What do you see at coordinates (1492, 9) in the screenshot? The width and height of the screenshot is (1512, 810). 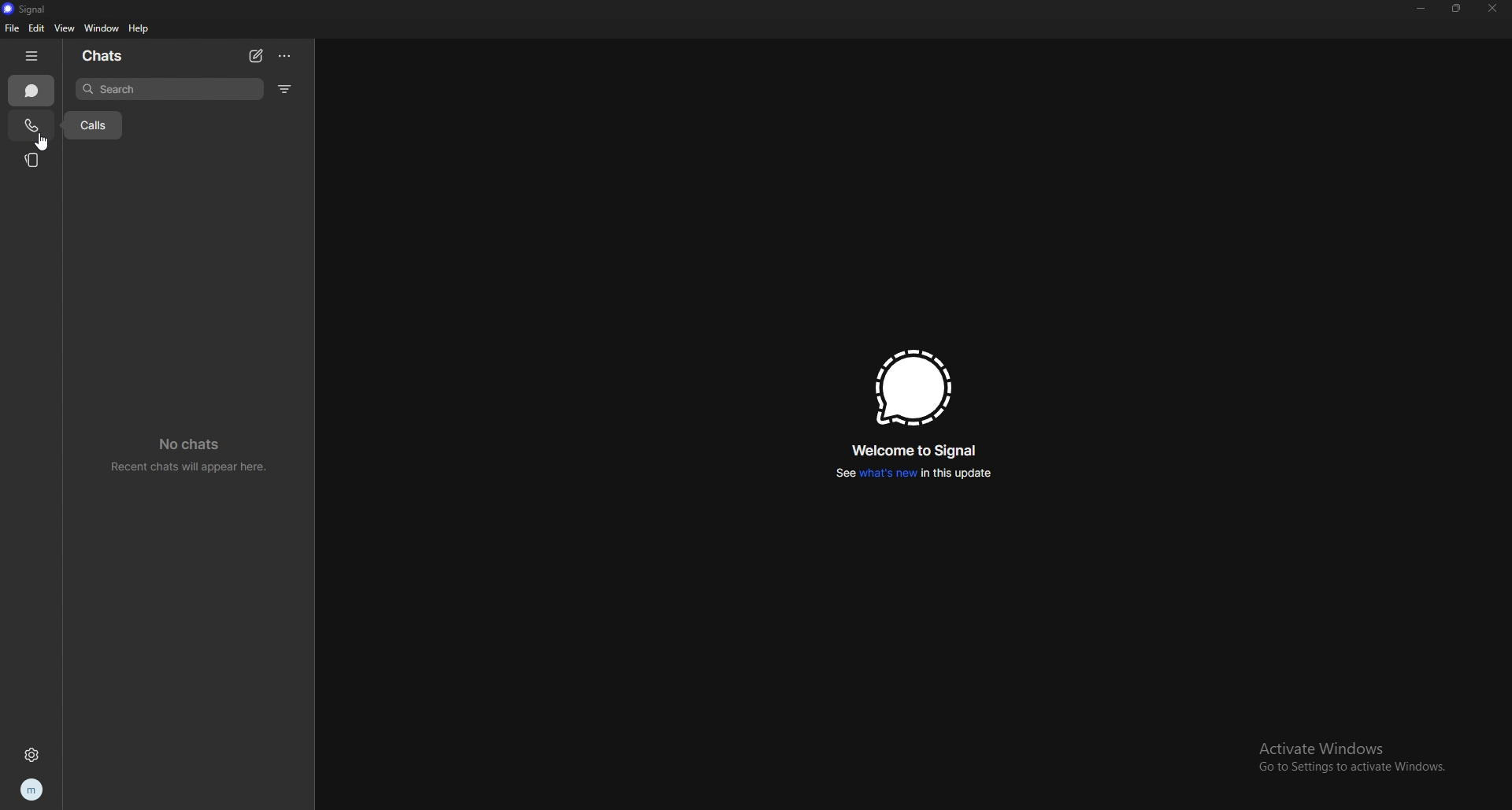 I see `close` at bounding box center [1492, 9].